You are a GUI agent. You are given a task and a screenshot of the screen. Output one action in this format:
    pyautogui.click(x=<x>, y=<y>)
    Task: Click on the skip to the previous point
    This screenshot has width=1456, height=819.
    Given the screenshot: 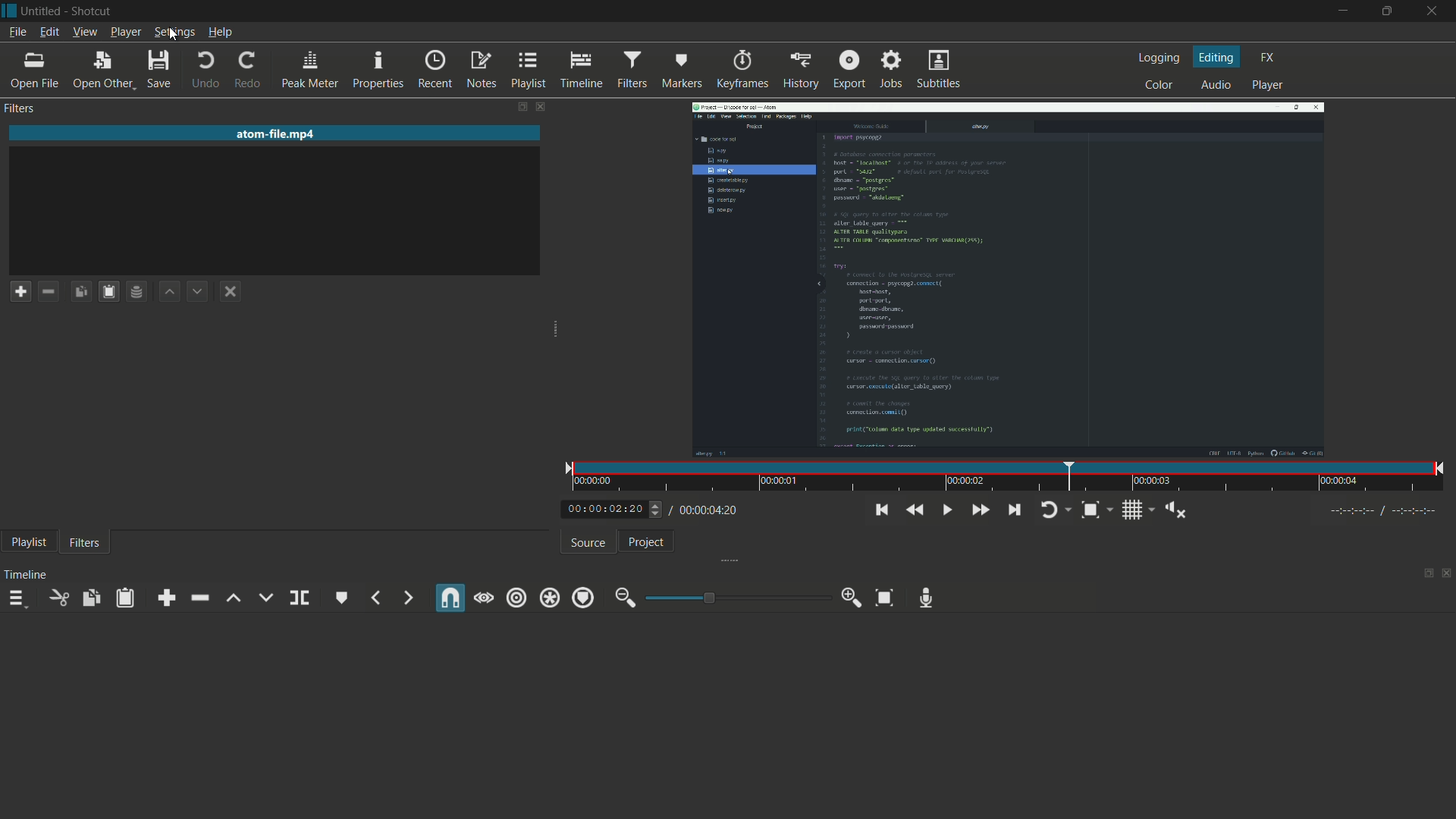 What is the action you would take?
    pyautogui.click(x=883, y=510)
    